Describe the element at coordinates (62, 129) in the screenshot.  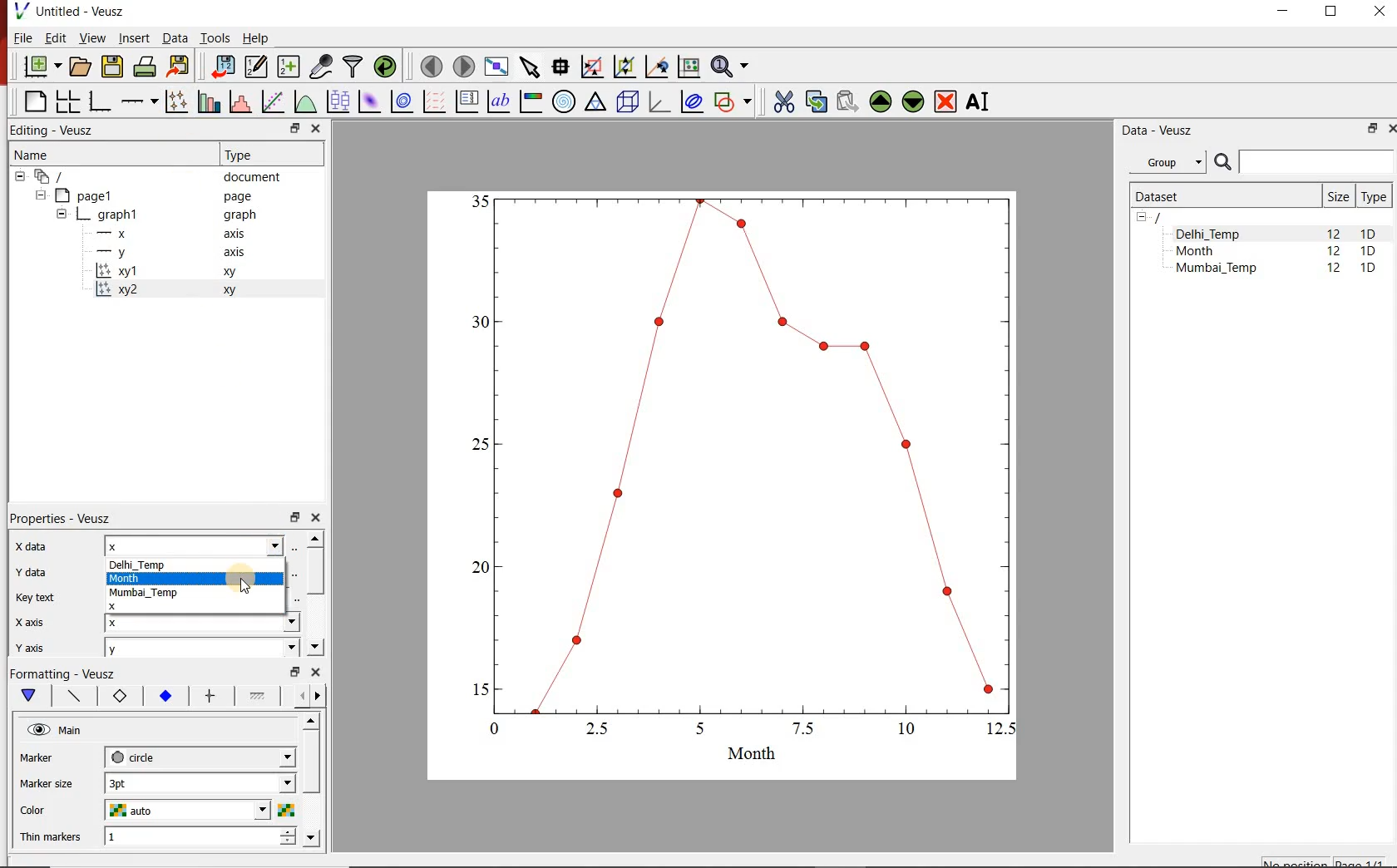
I see `Editing - Veusz` at that location.